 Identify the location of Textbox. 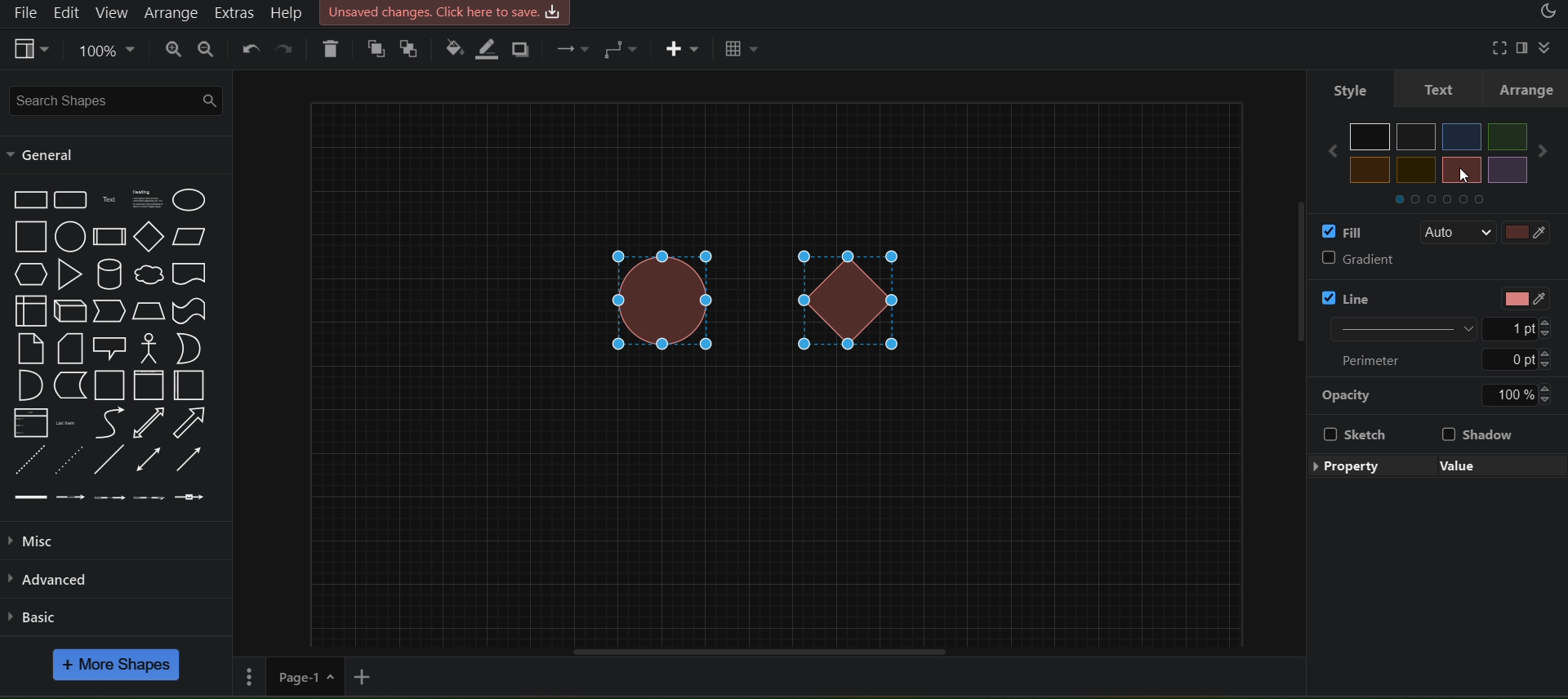
(146, 199).